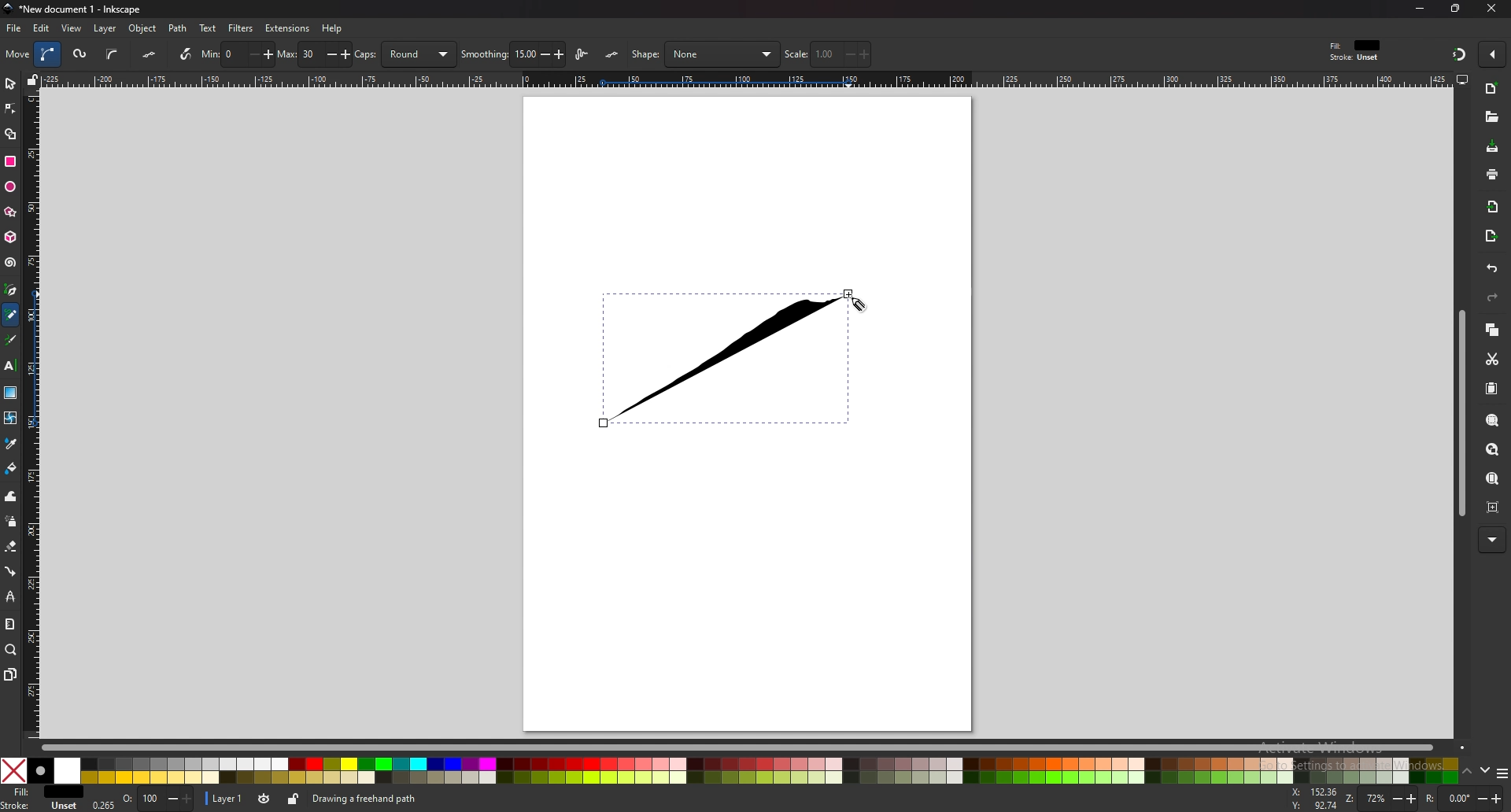 This screenshot has width=1511, height=812. Describe the element at coordinates (150, 54) in the screenshot. I see `flatten spiro` at that location.